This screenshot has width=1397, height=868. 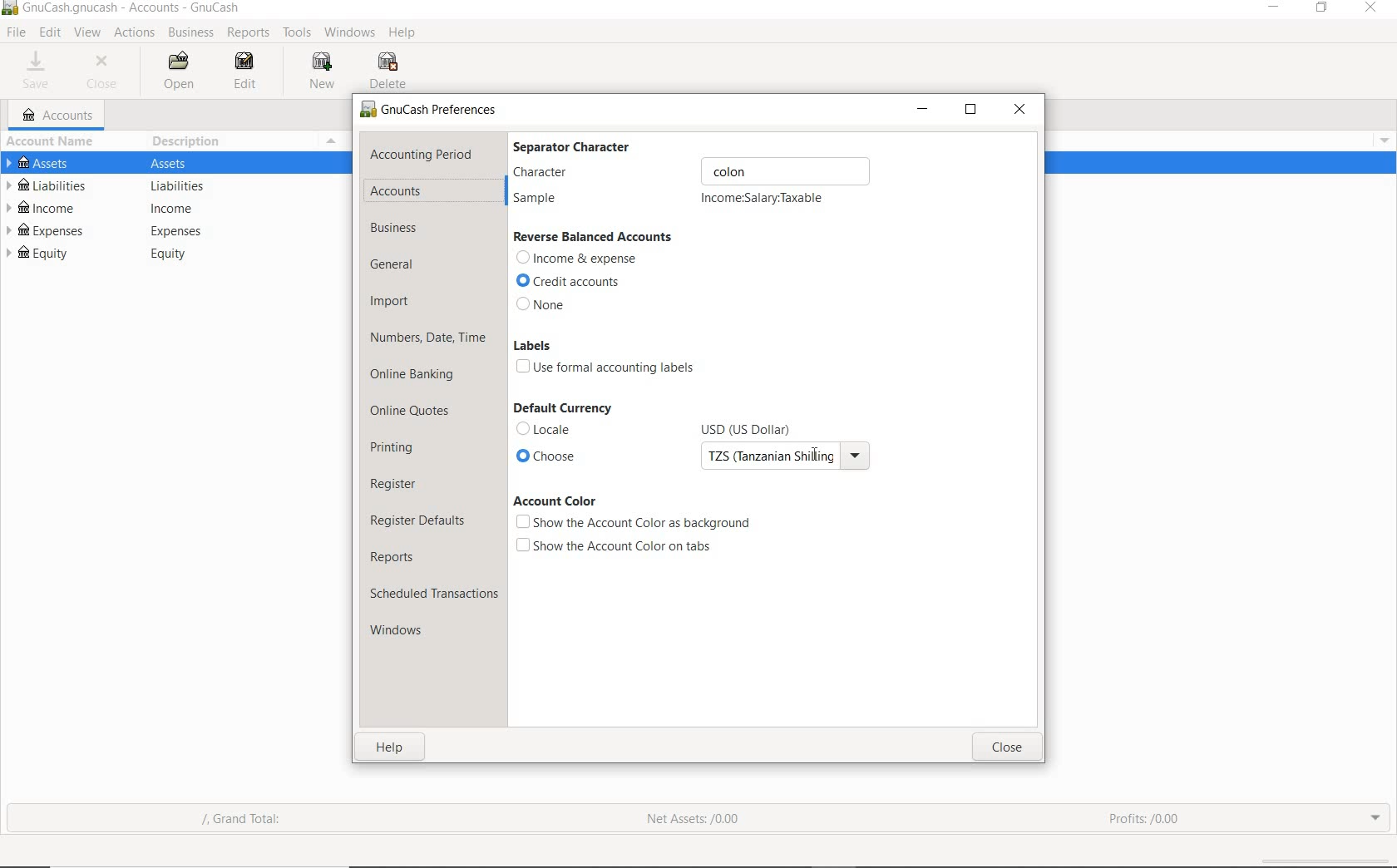 What do you see at coordinates (1005, 747) in the screenshot?
I see `close` at bounding box center [1005, 747].